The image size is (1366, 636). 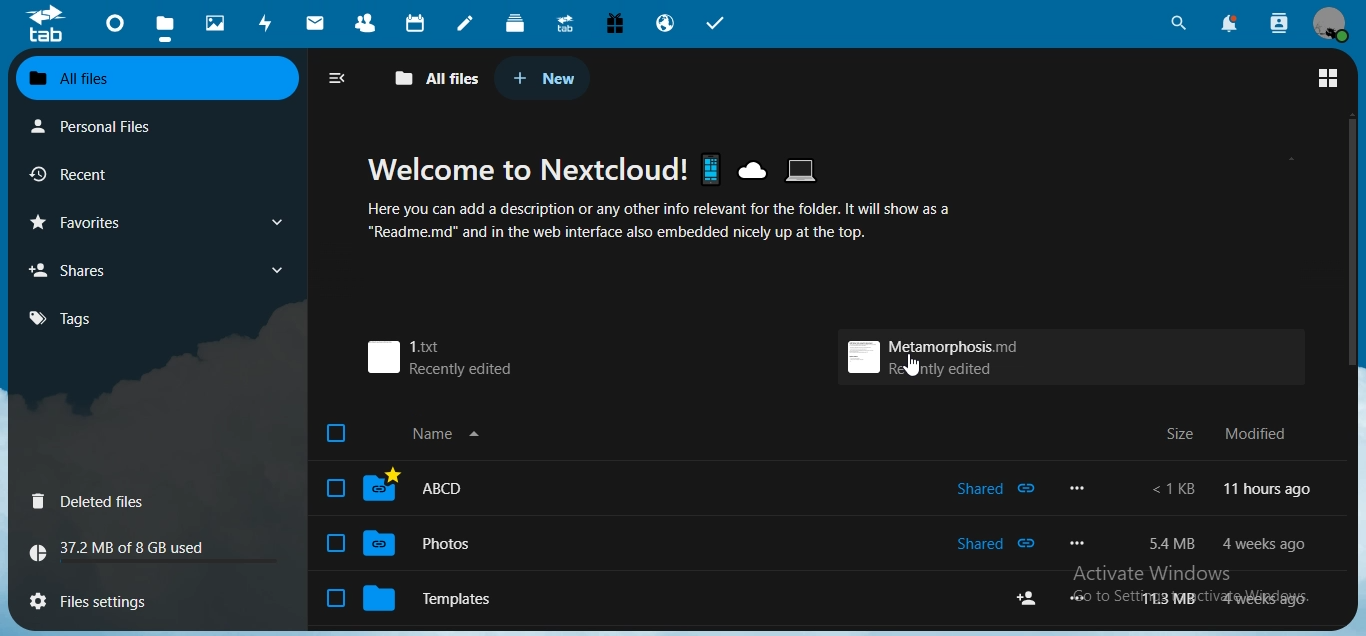 What do you see at coordinates (281, 223) in the screenshot?
I see `dropdown` at bounding box center [281, 223].